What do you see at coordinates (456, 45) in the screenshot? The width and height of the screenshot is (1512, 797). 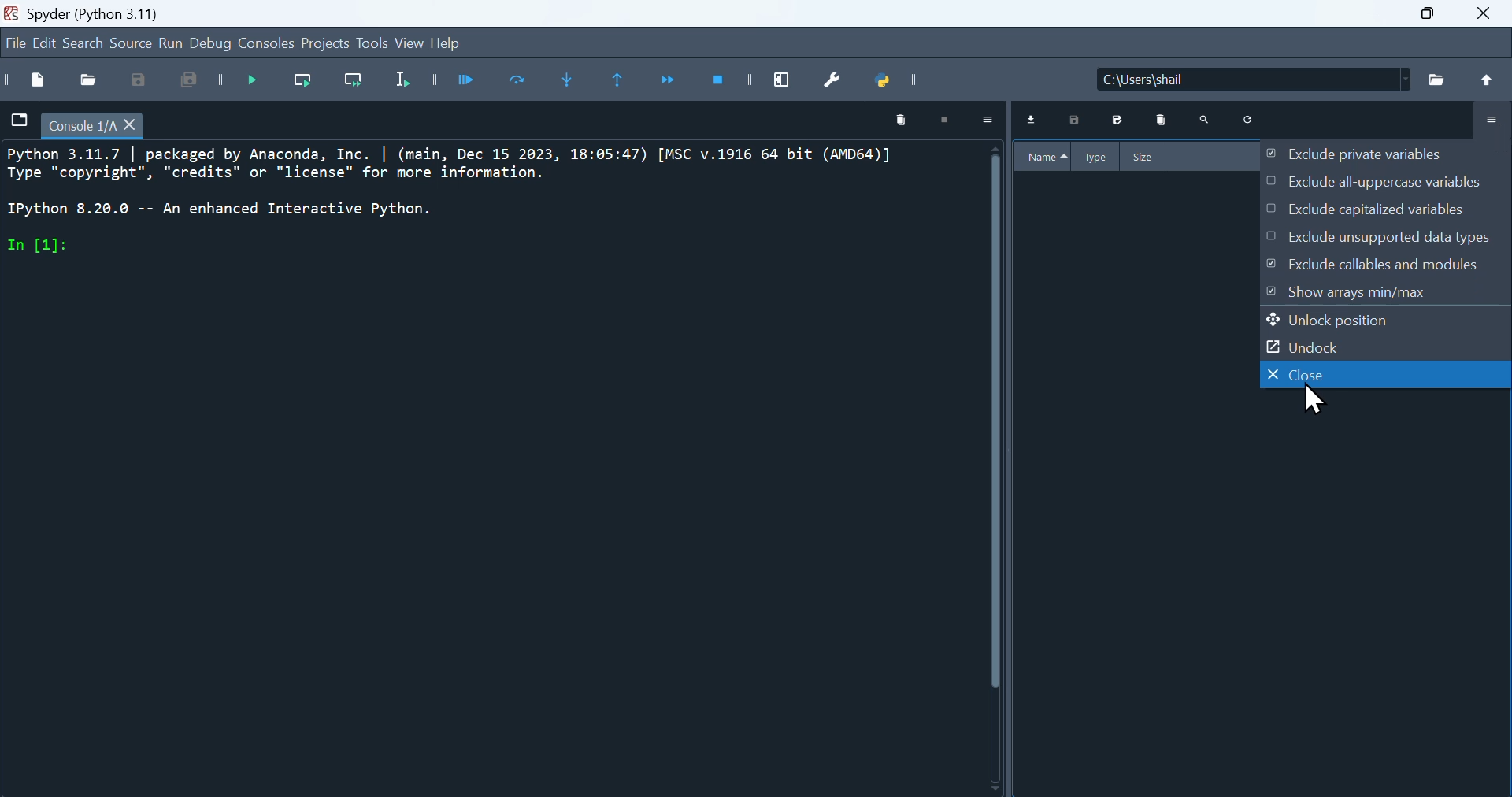 I see `Help` at bounding box center [456, 45].